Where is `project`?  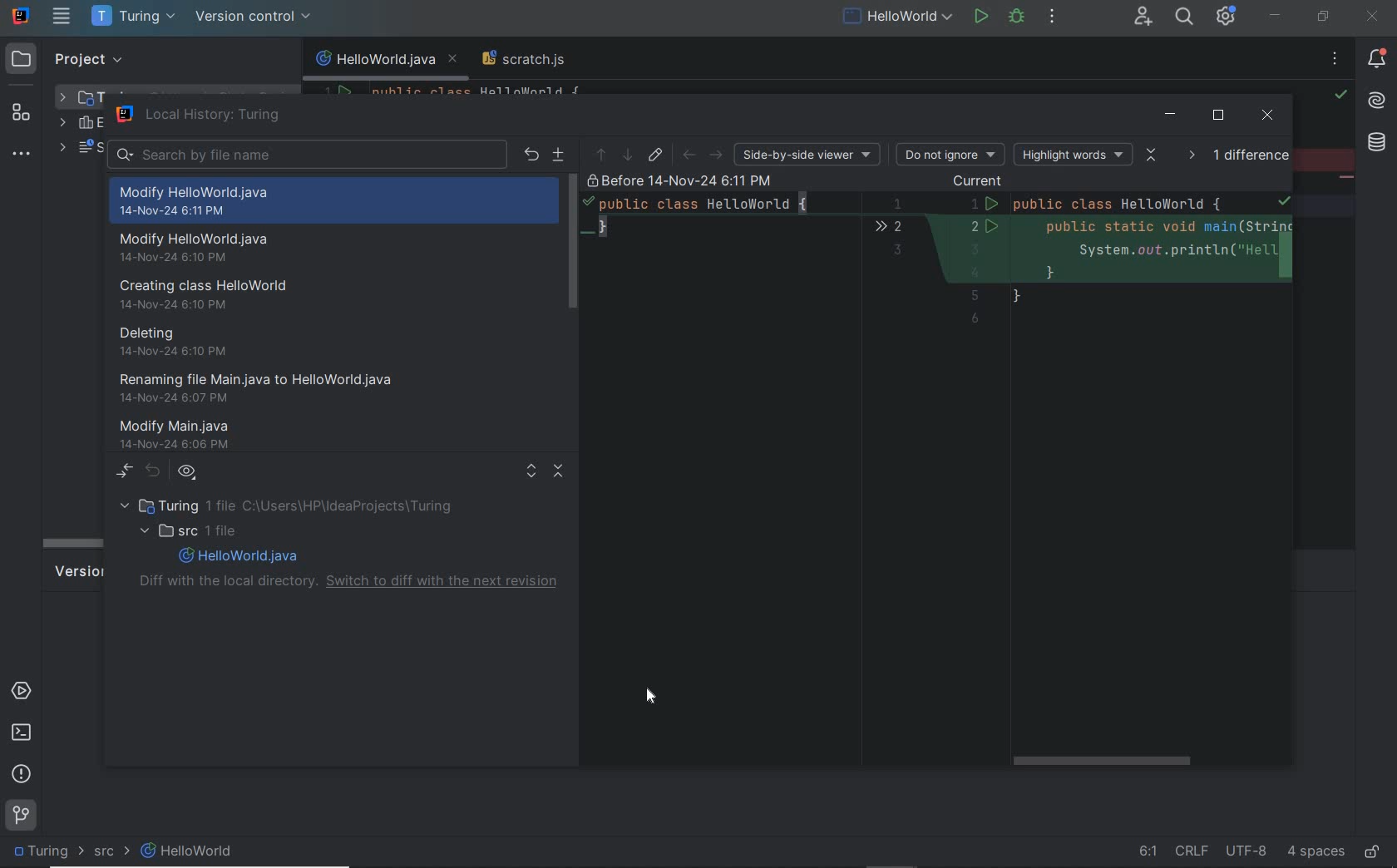 project is located at coordinates (68, 59).